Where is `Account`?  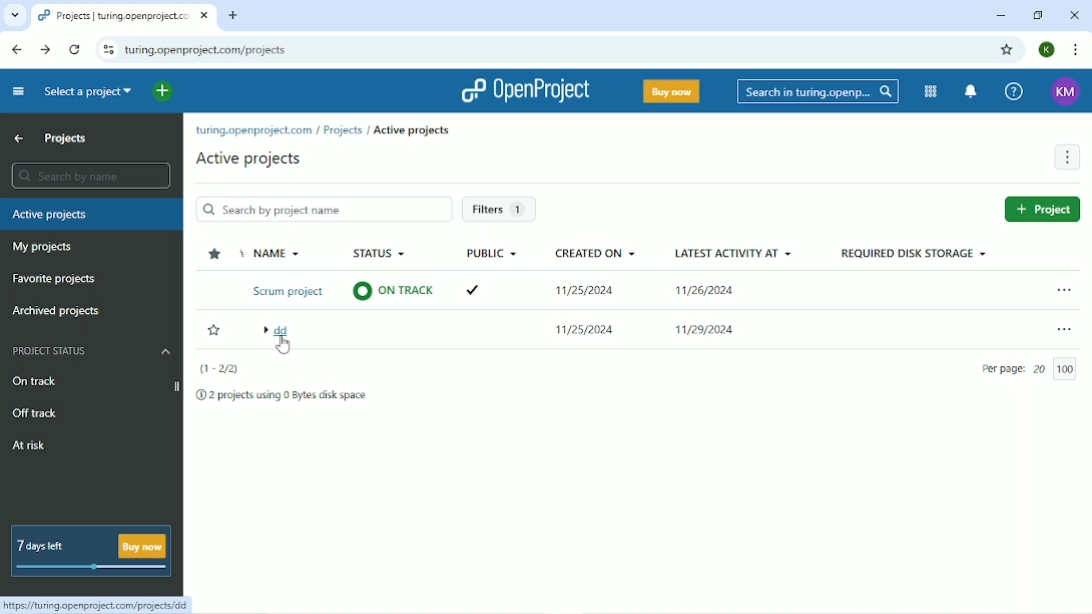
Account is located at coordinates (1047, 50).